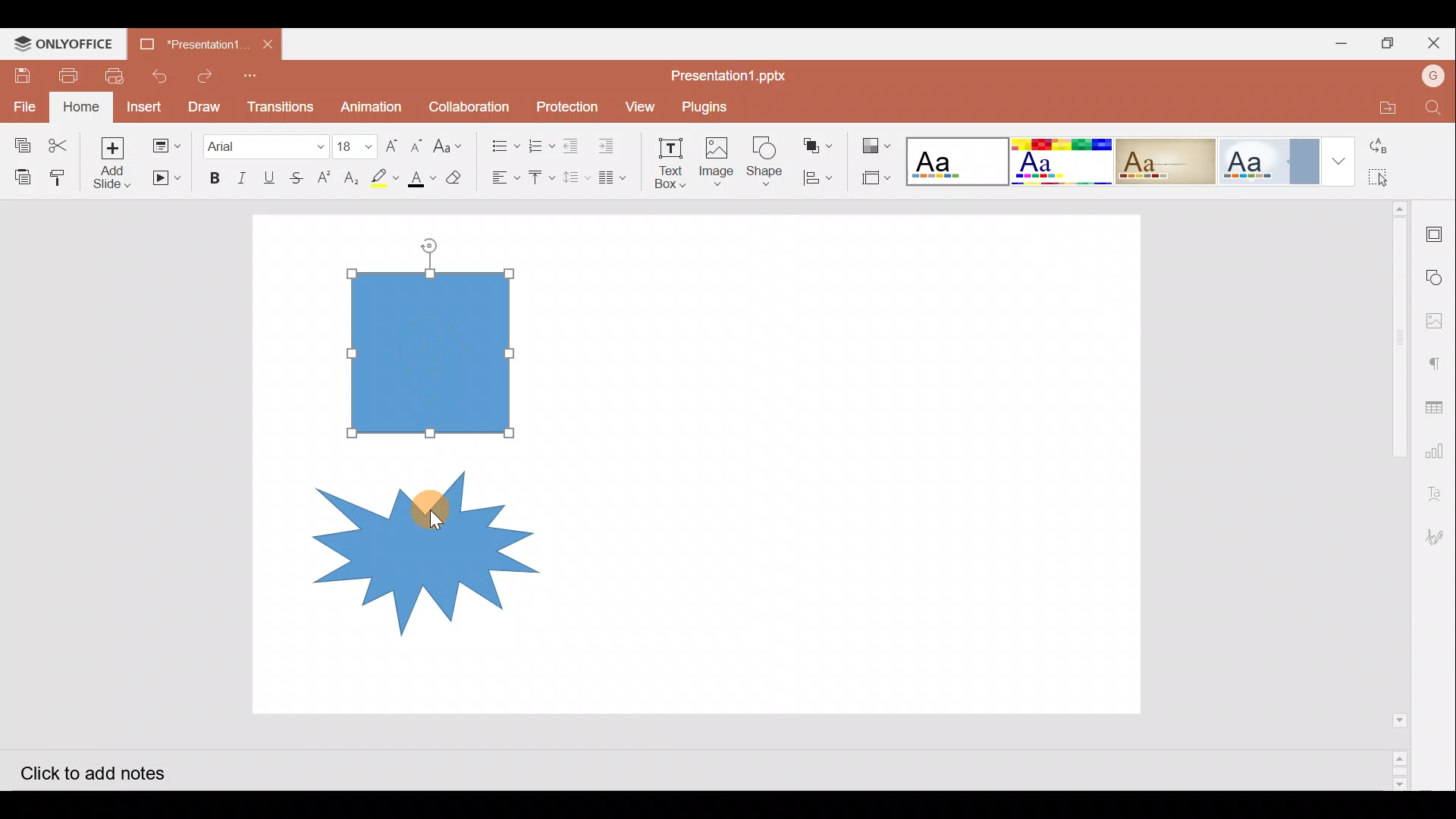 This screenshot has width=1456, height=819. Describe the element at coordinates (323, 178) in the screenshot. I see `Superscript` at that location.